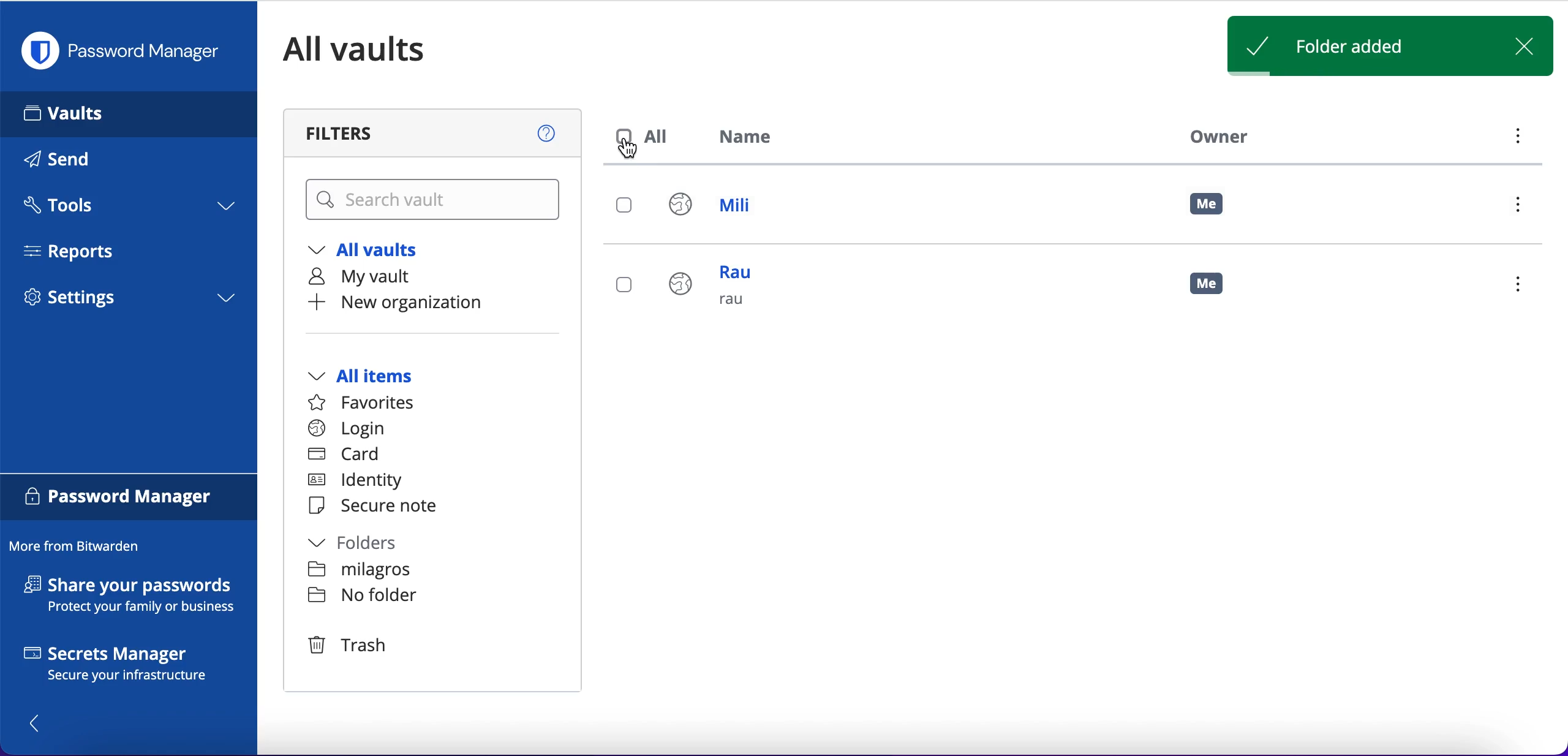 The image size is (1568, 756). Describe the element at coordinates (129, 301) in the screenshot. I see `settings` at that location.